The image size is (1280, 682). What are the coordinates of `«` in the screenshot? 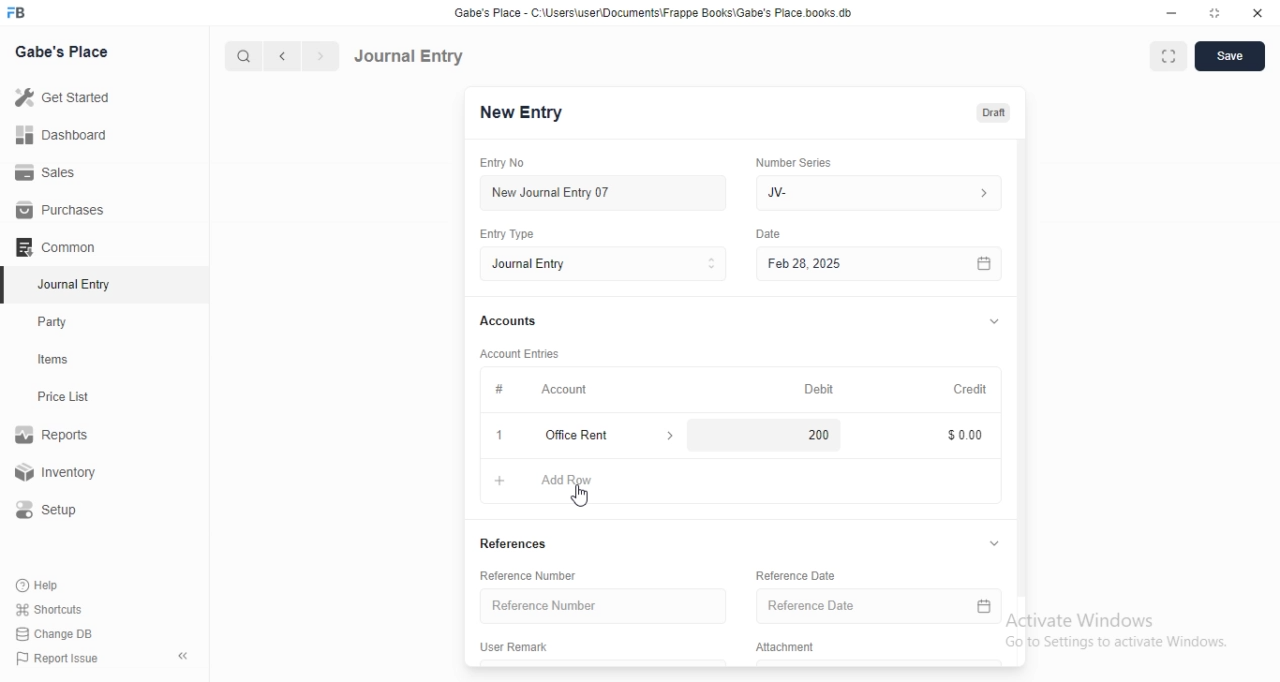 It's located at (185, 657).